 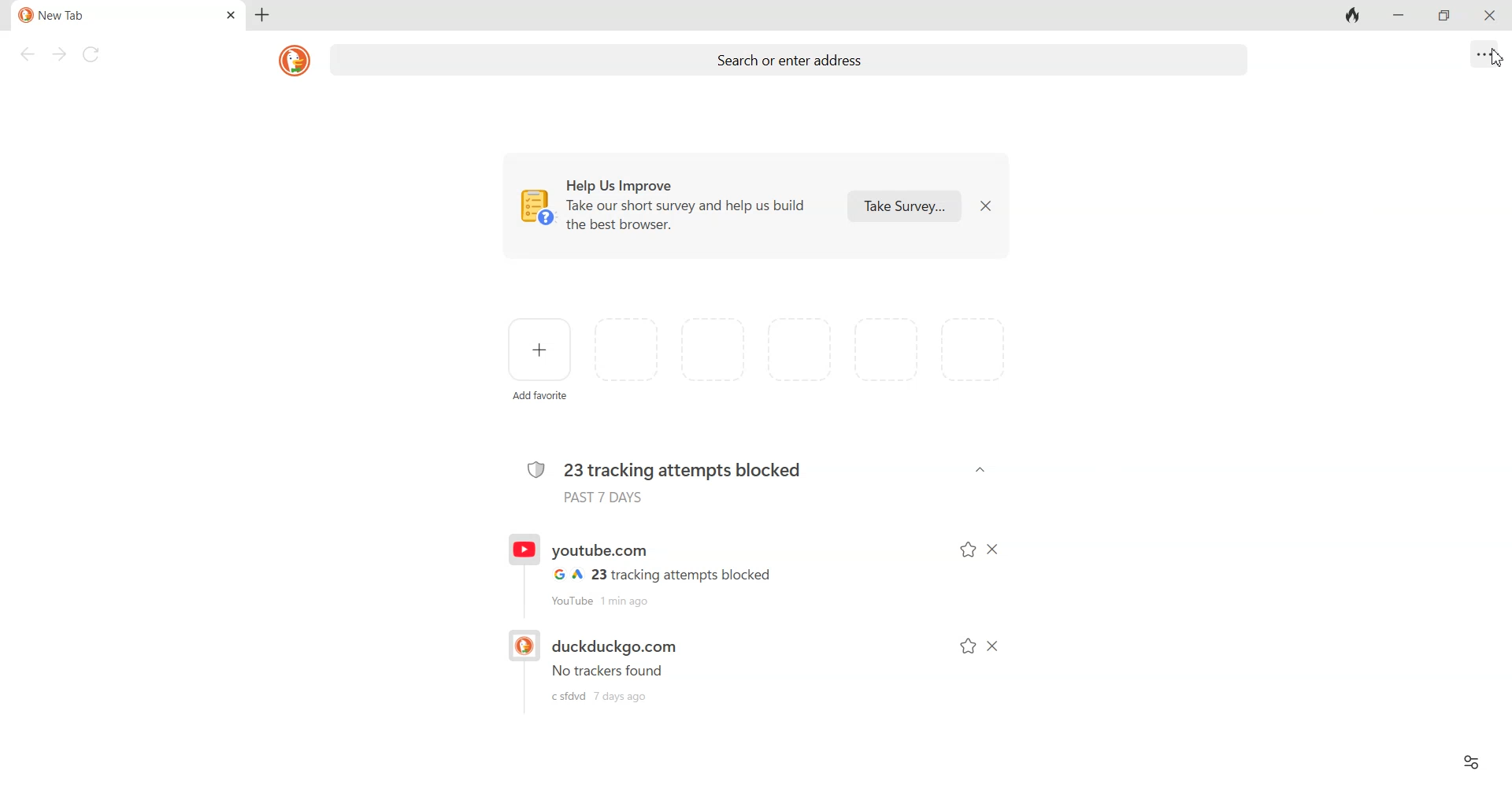 What do you see at coordinates (992, 646) in the screenshot?
I see `Dismiss ` at bounding box center [992, 646].